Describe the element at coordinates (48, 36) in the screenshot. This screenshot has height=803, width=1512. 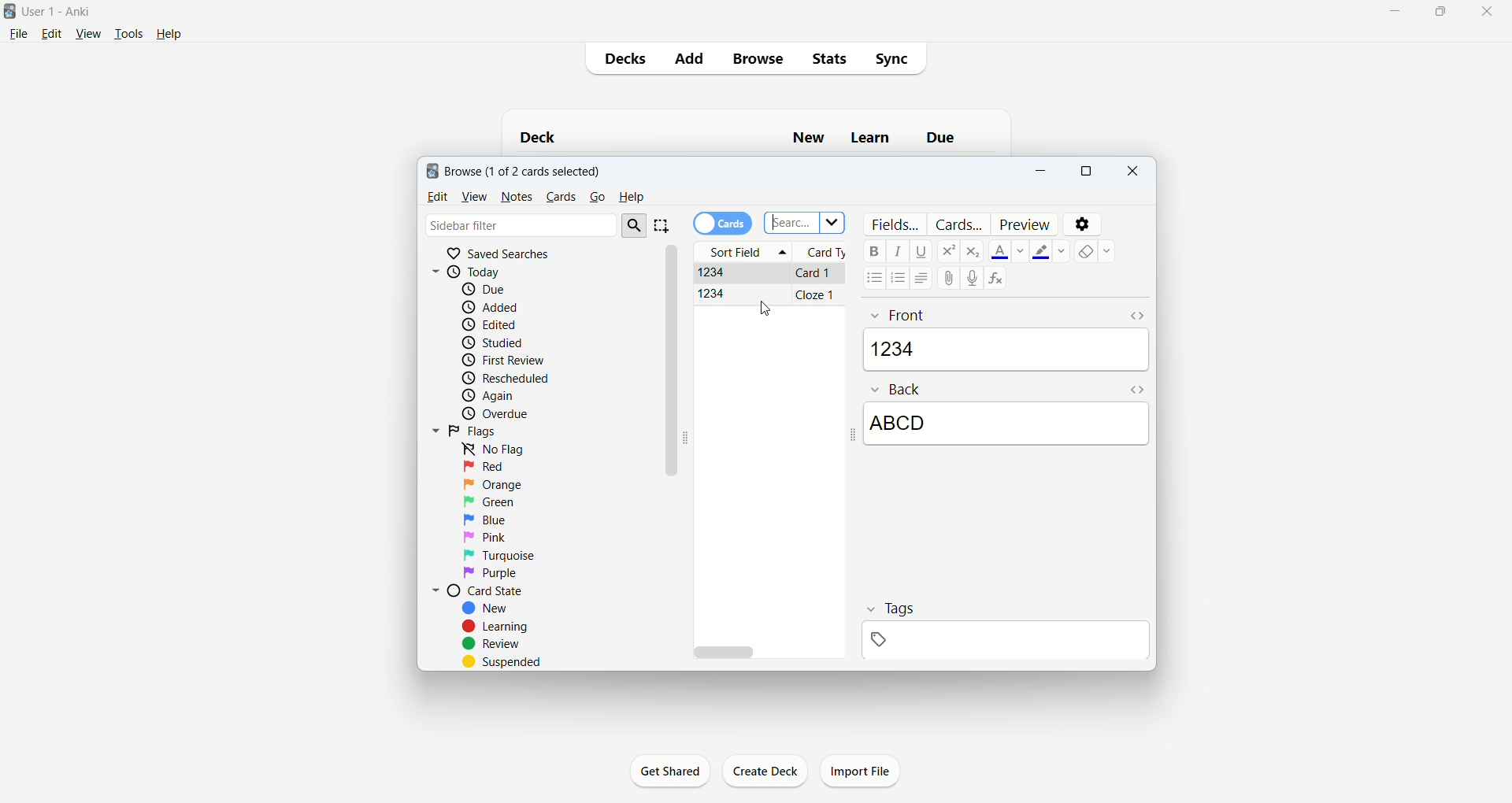
I see `edit` at that location.